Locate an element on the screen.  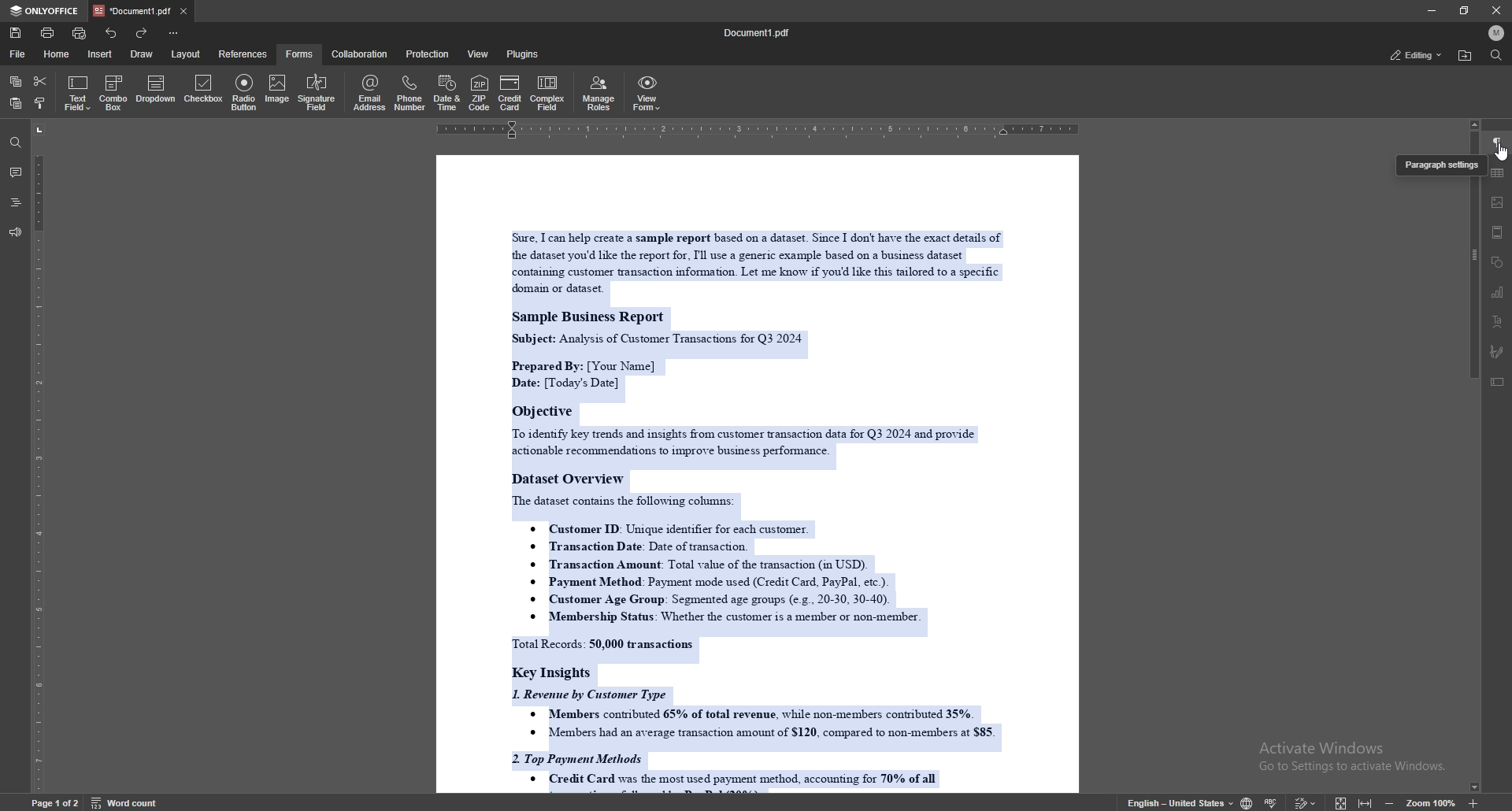
date and time is located at coordinates (447, 93).